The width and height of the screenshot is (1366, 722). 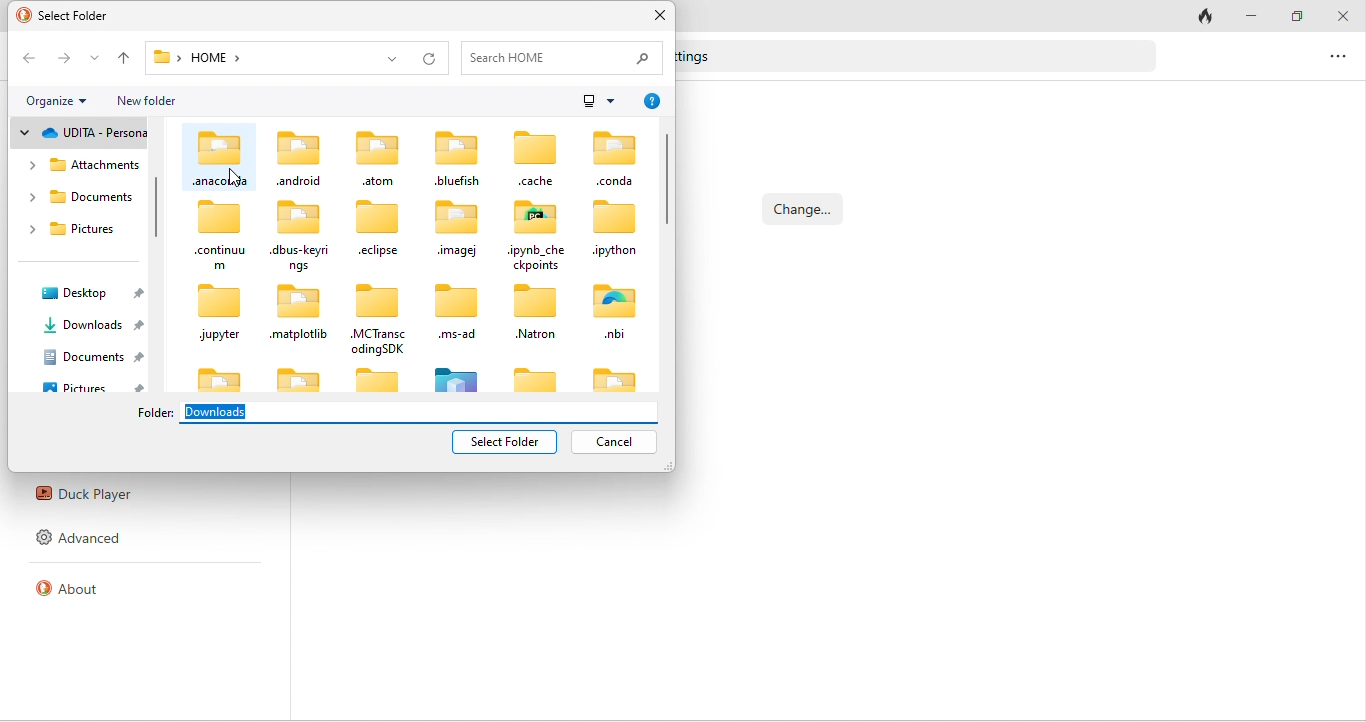 I want to click on folder name, so click(x=157, y=413).